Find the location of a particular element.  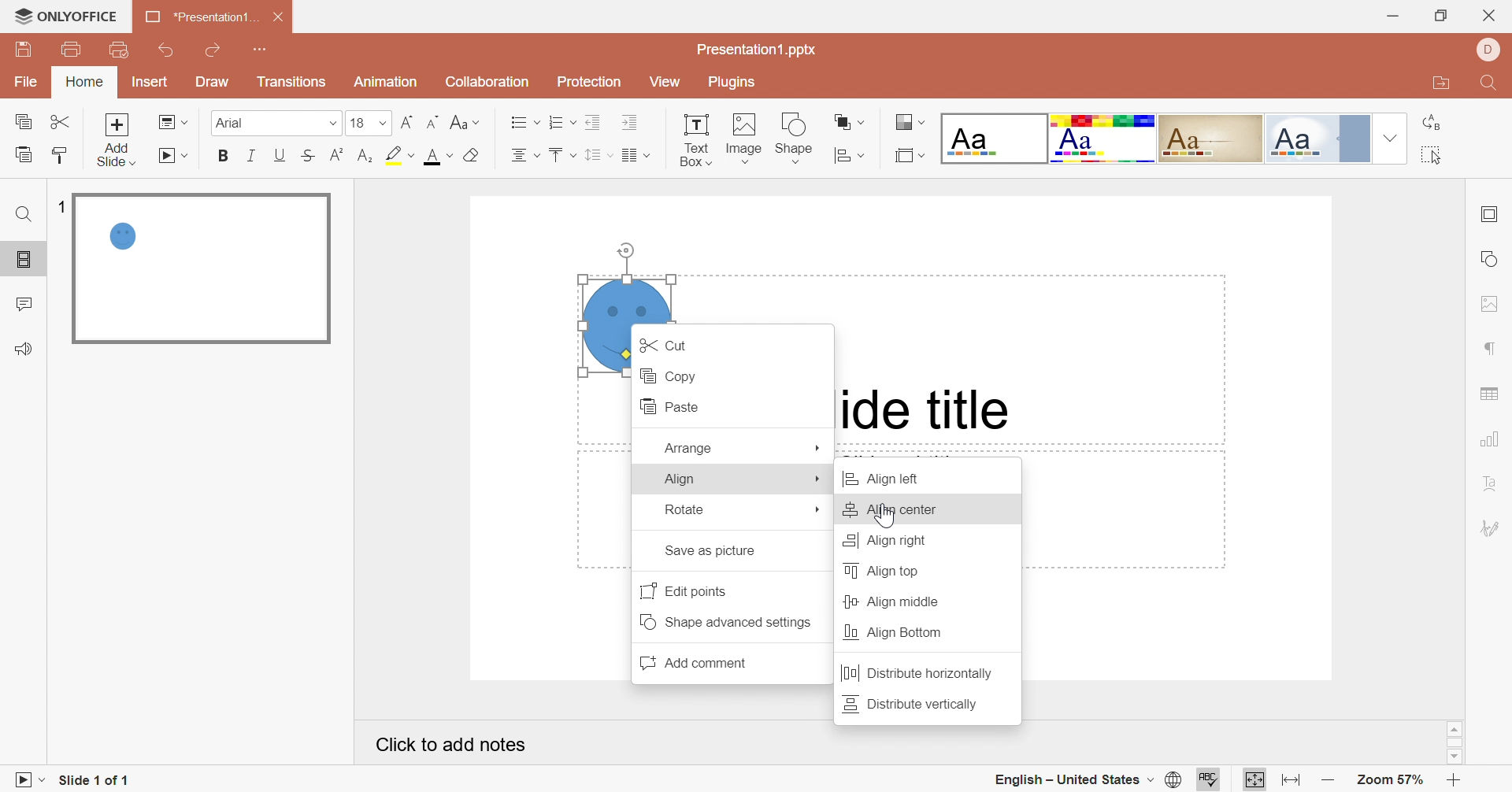

Transitions is located at coordinates (291, 85).